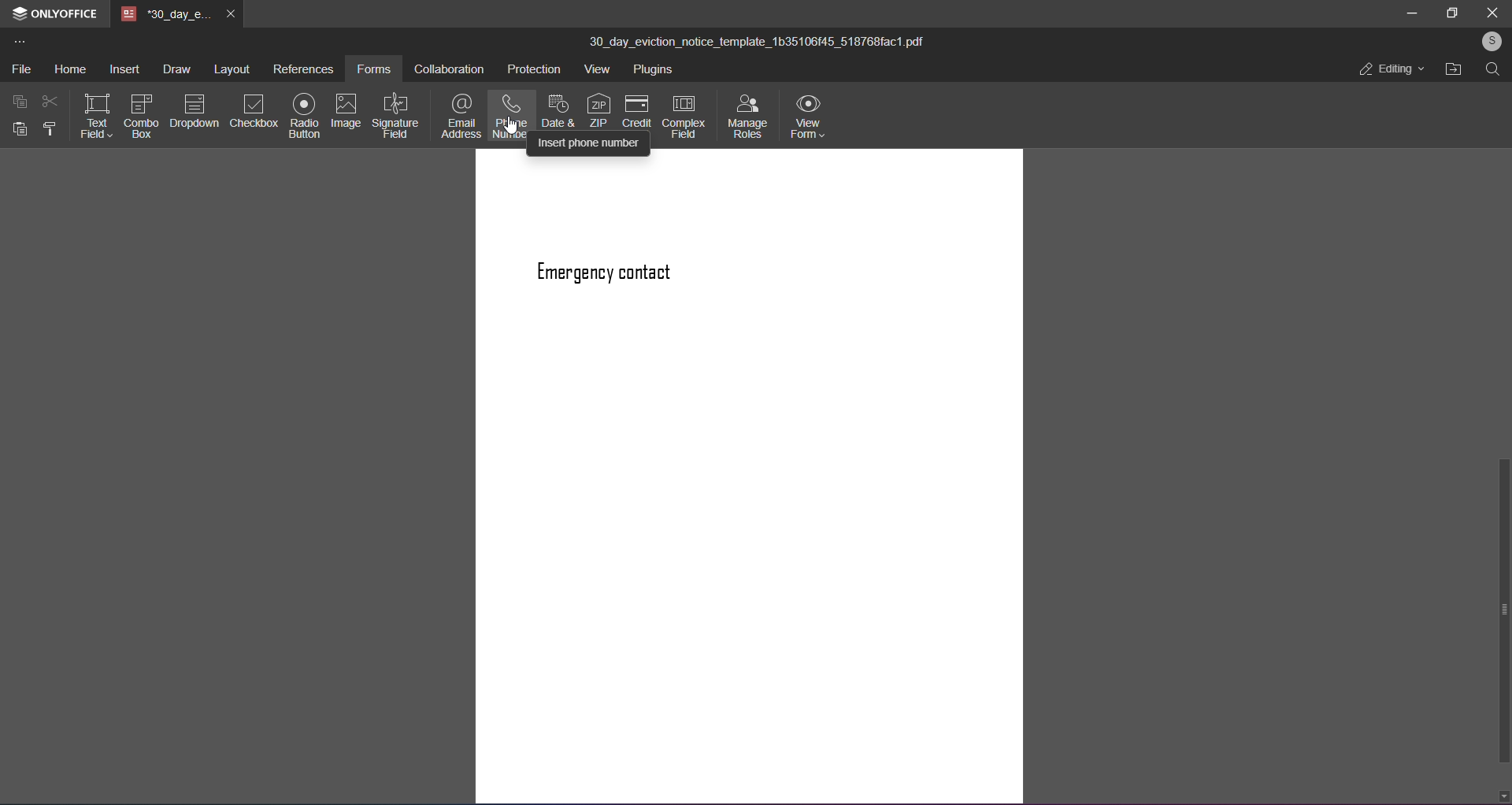 The width and height of the screenshot is (1512, 805). What do you see at coordinates (305, 117) in the screenshot?
I see `radio button` at bounding box center [305, 117].